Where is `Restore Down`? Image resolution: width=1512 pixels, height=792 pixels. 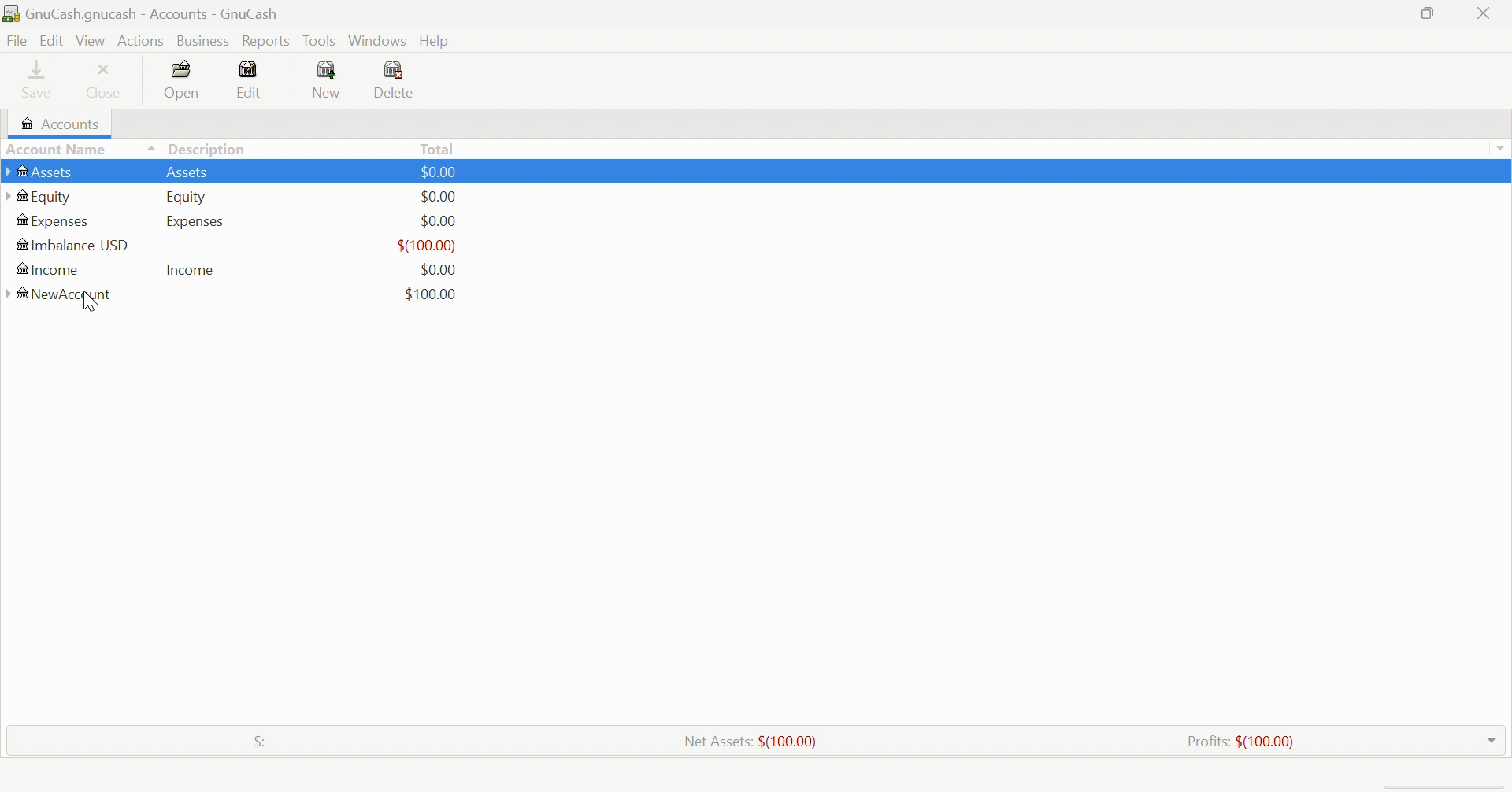
Restore Down is located at coordinates (1428, 15).